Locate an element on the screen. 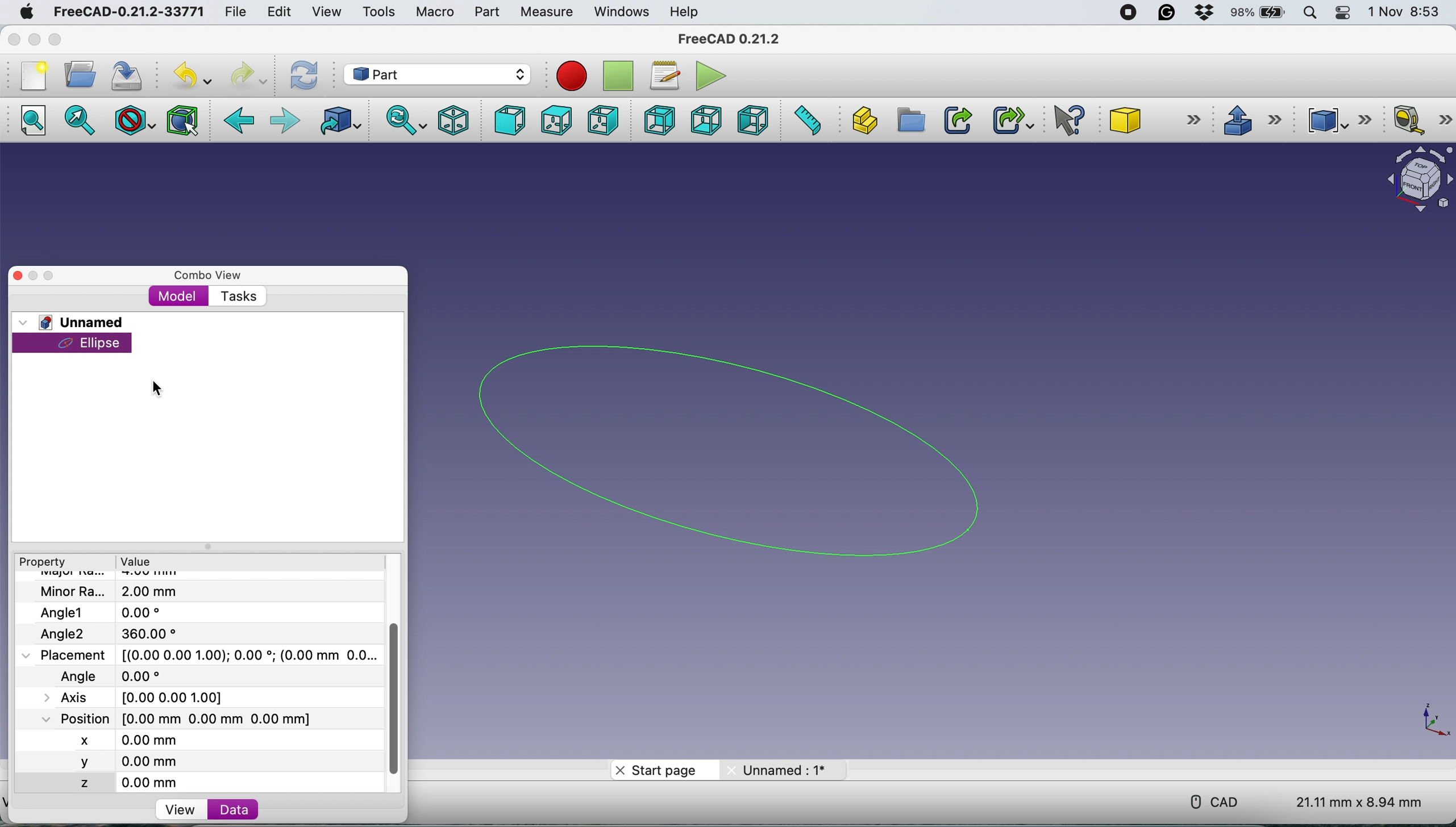 This screenshot has width=1456, height=827. execute macros is located at coordinates (708, 76).